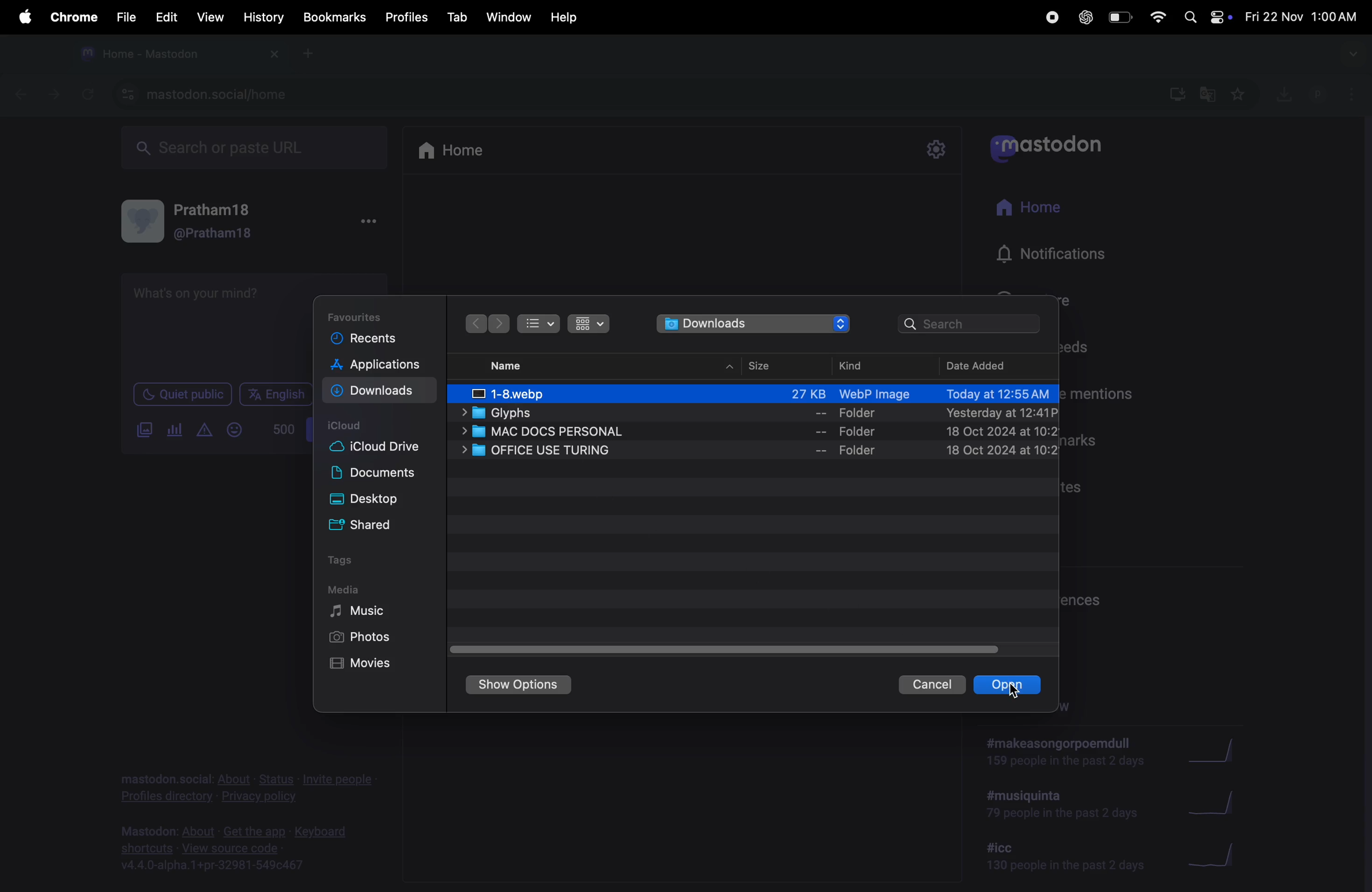  What do you see at coordinates (455, 17) in the screenshot?
I see `tab` at bounding box center [455, 17].